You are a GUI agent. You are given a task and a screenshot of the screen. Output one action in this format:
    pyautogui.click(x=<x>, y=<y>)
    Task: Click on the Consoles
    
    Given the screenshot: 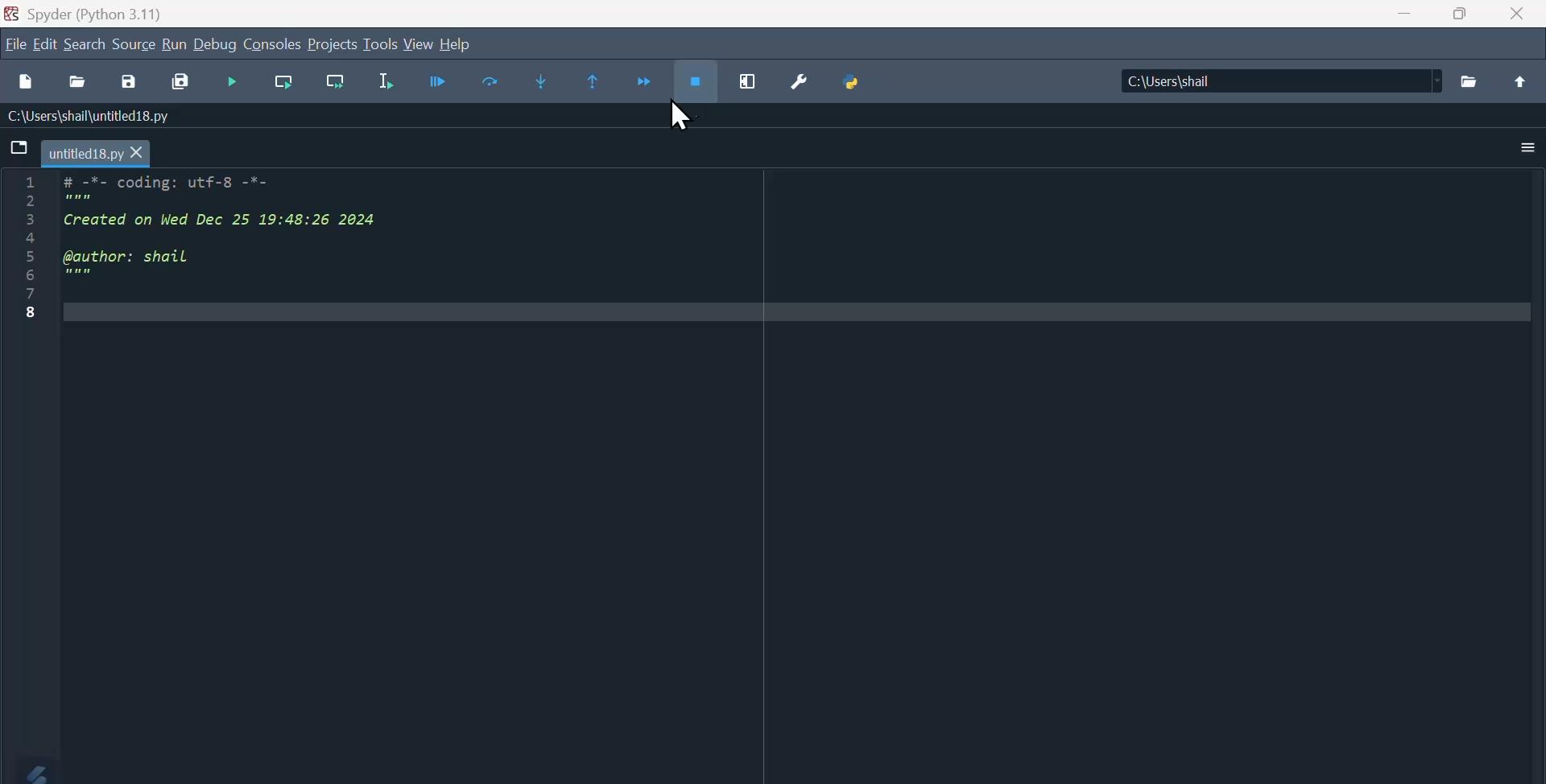 What is the action you would take?
    pyautogui.click(x=274, y=43)
    